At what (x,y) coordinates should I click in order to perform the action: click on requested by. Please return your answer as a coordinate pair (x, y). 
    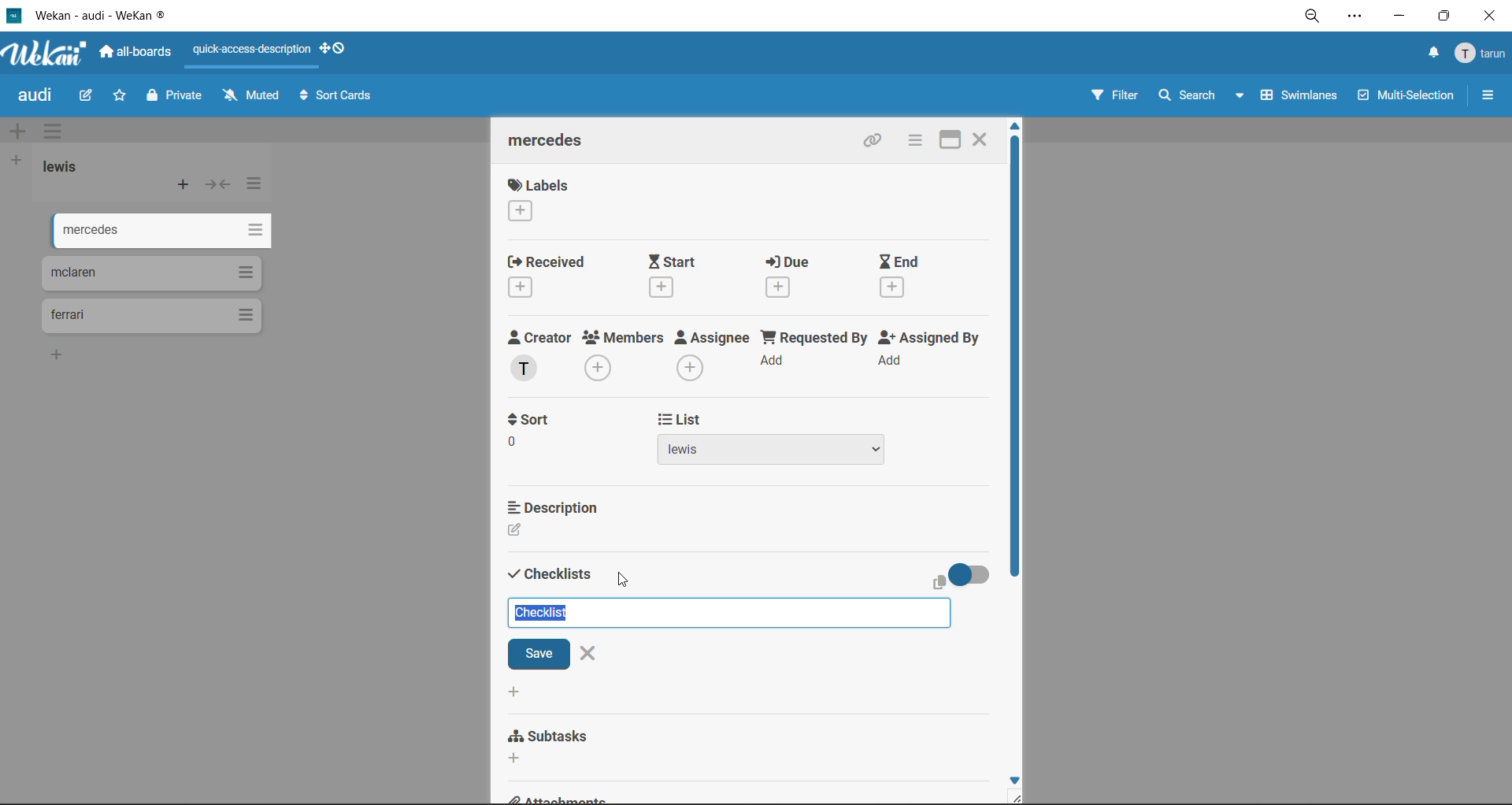
    Looking at the image, I should click on (816, 354).